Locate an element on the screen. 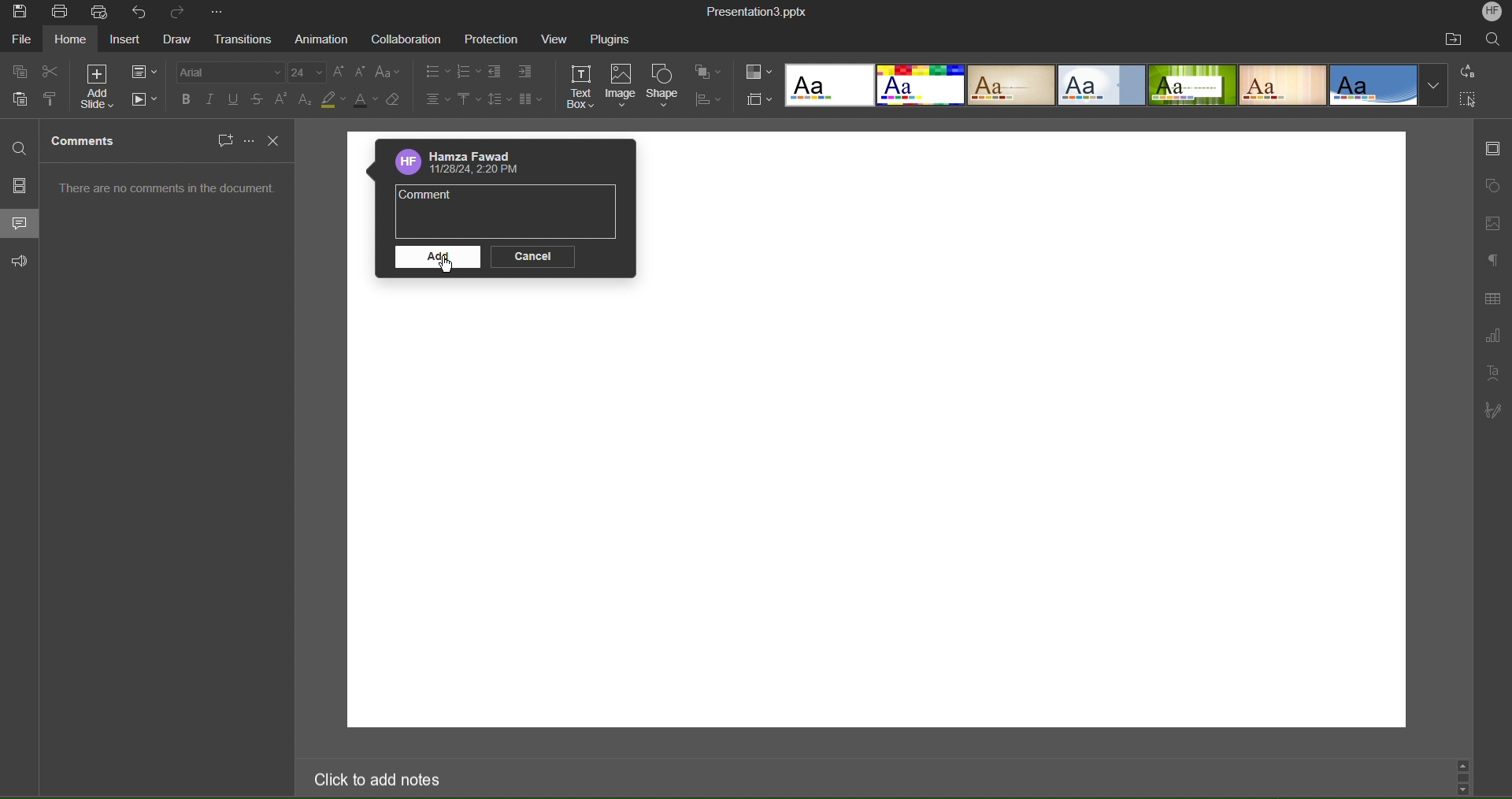 This screenshot has width=1512, height=799. Plugins is located at coordinates (617, 39).